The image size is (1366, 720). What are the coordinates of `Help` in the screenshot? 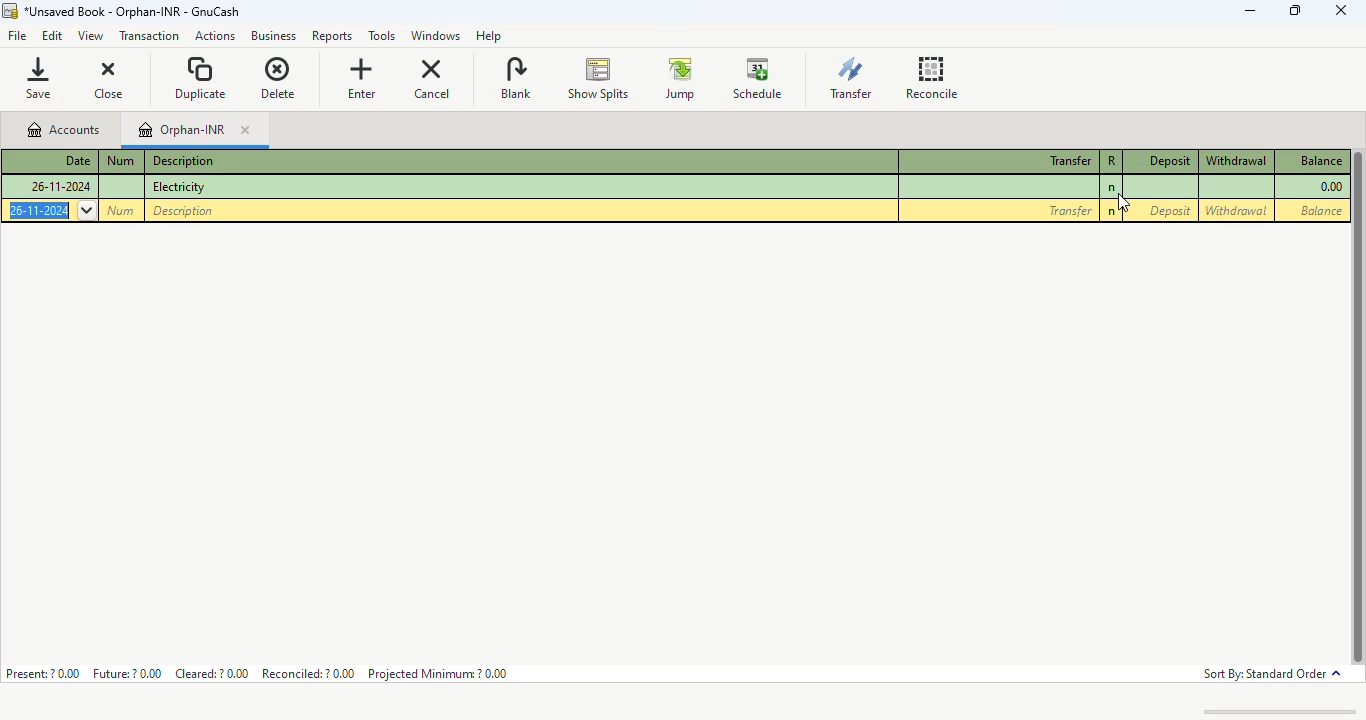 It's located at (489, 35).